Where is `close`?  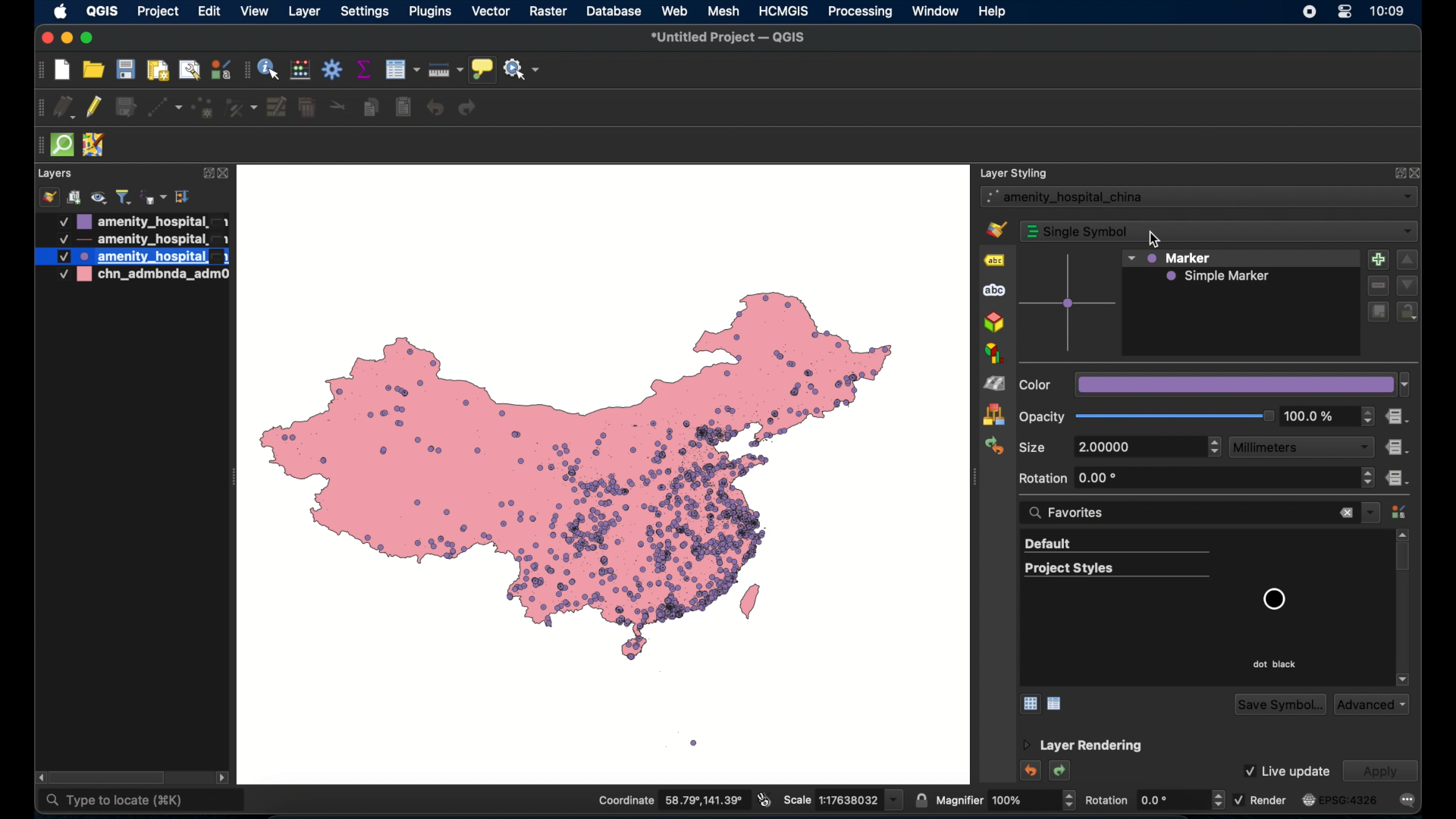 close is located at coordinates (225, 174).